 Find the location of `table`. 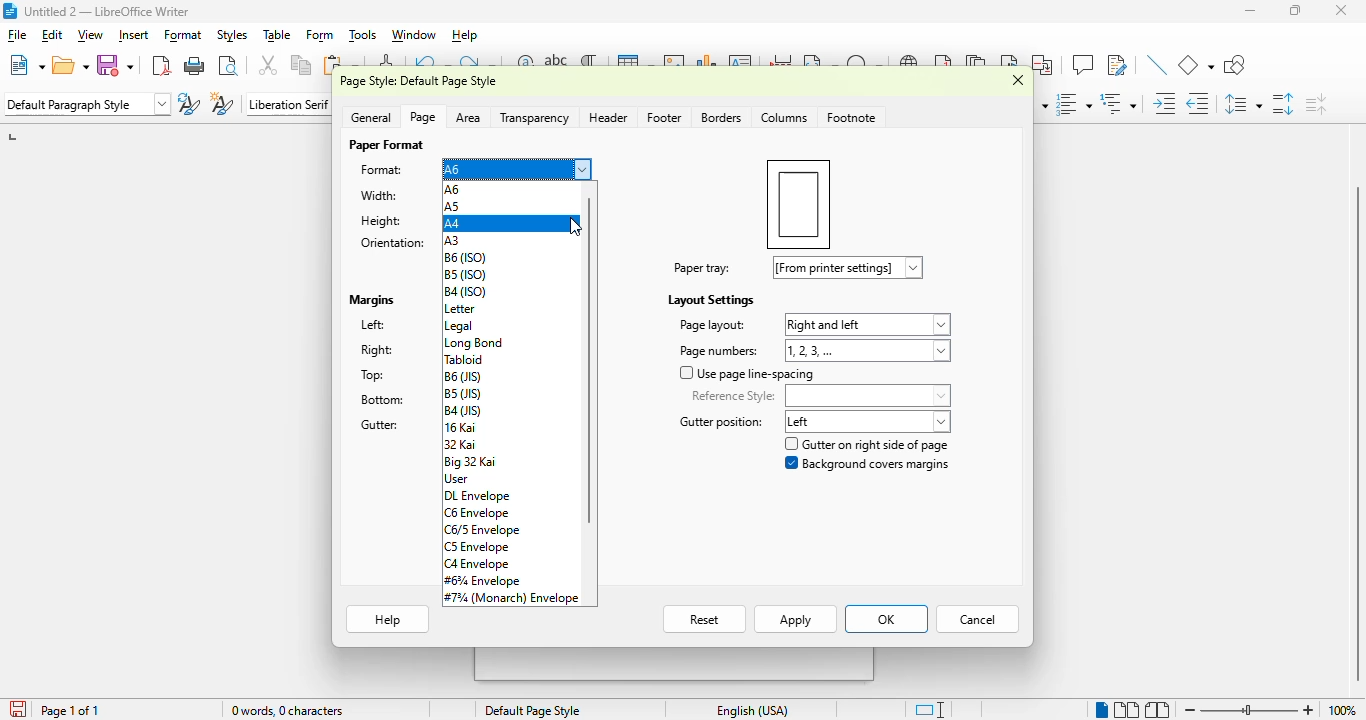

table is located at coordinates (277, 34).